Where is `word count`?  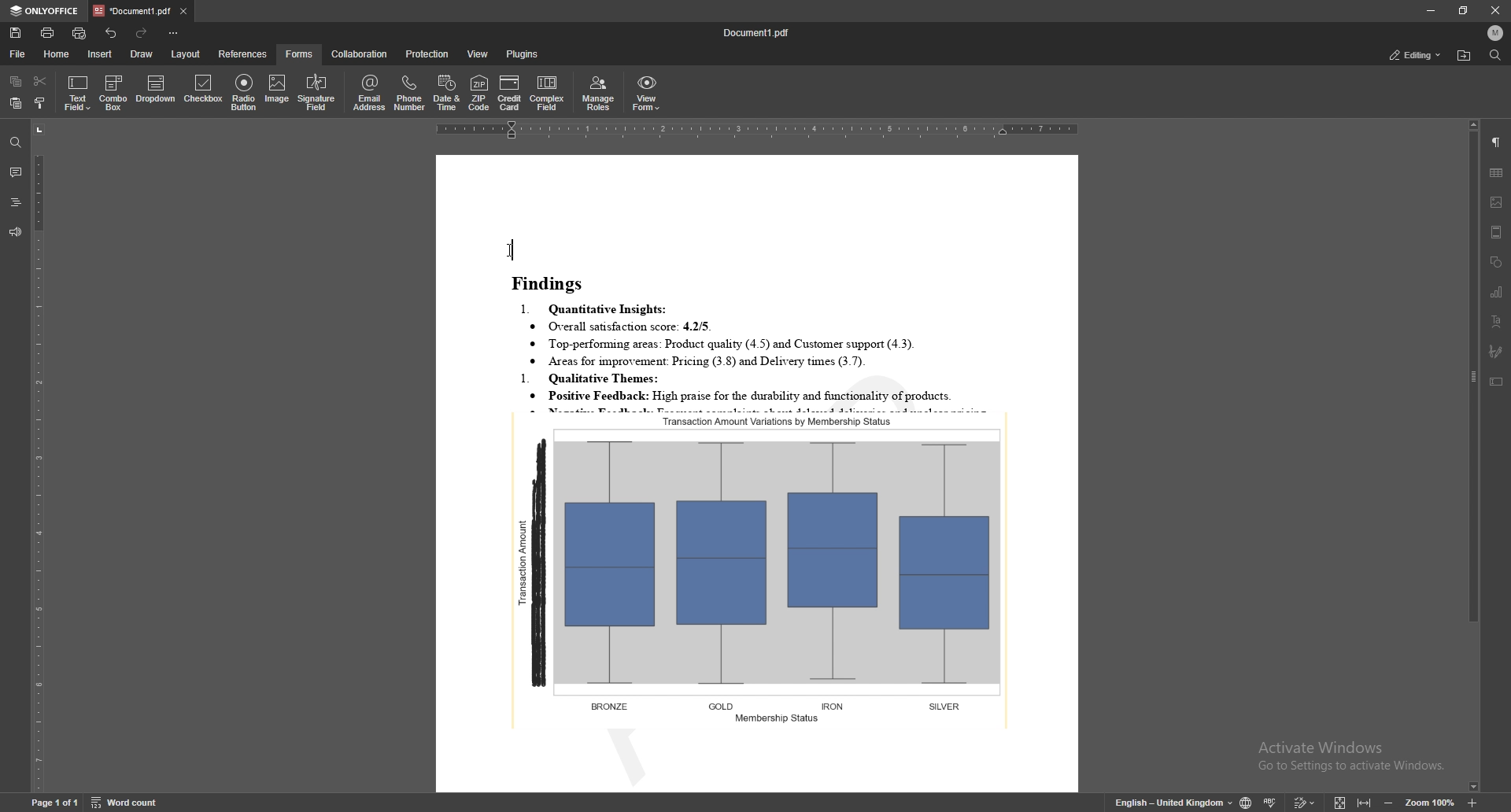 word count is located at coordinates (133, 803).